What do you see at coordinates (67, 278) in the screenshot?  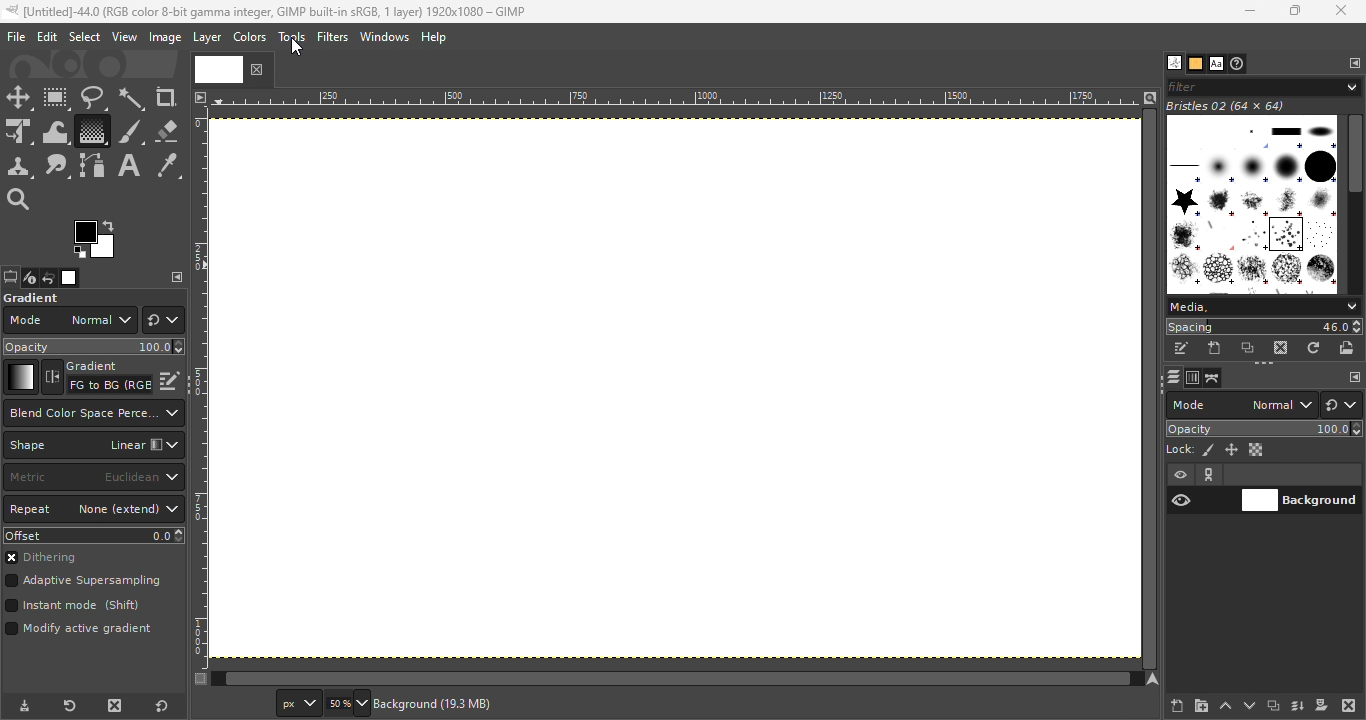 I see `Open the image dialog` at bounding box center [67, 278].